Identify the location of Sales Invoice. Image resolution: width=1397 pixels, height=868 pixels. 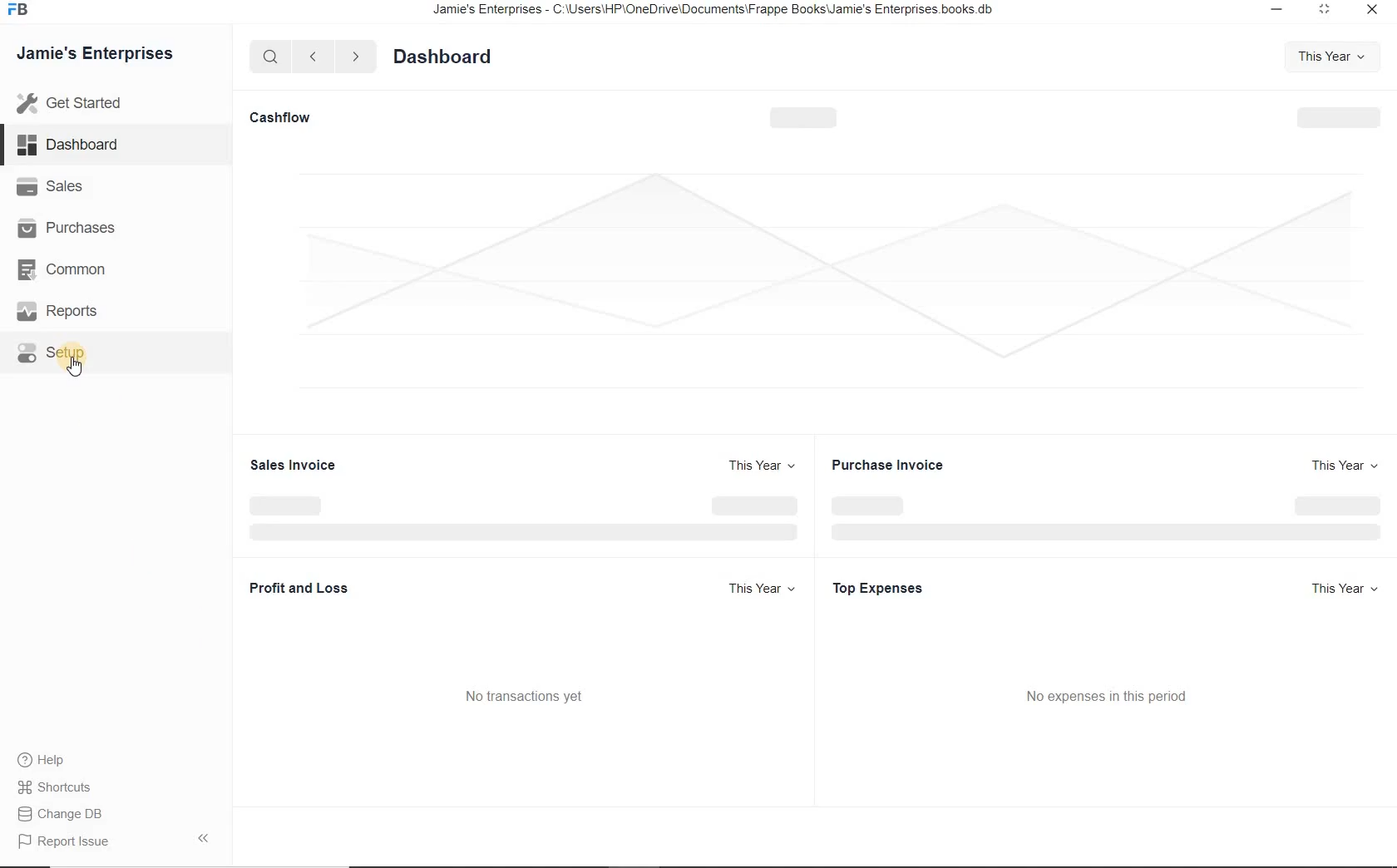
(297, 464).